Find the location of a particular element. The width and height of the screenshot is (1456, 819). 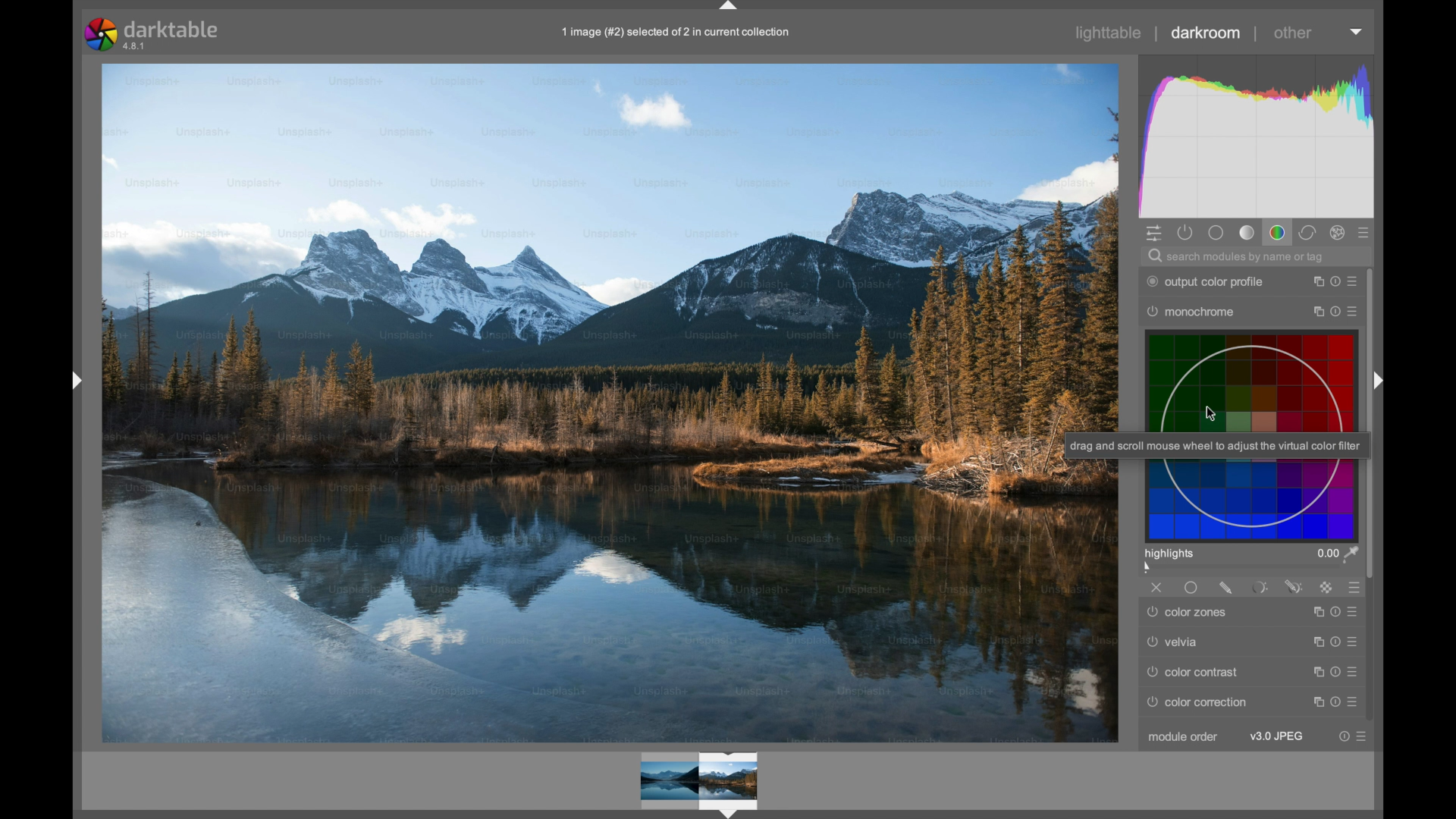

presets is located at coordinates (1357, 671).